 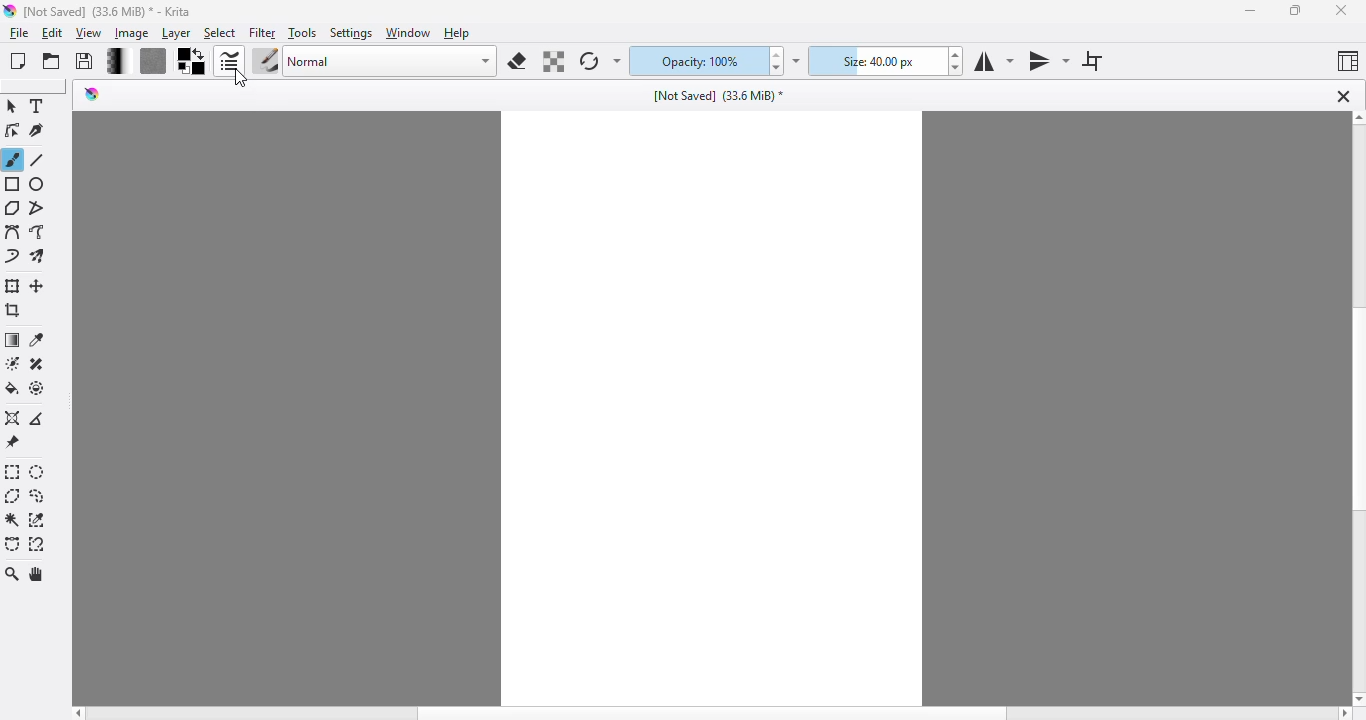 I want to click on fill patterns, so click(x=154, y=62).